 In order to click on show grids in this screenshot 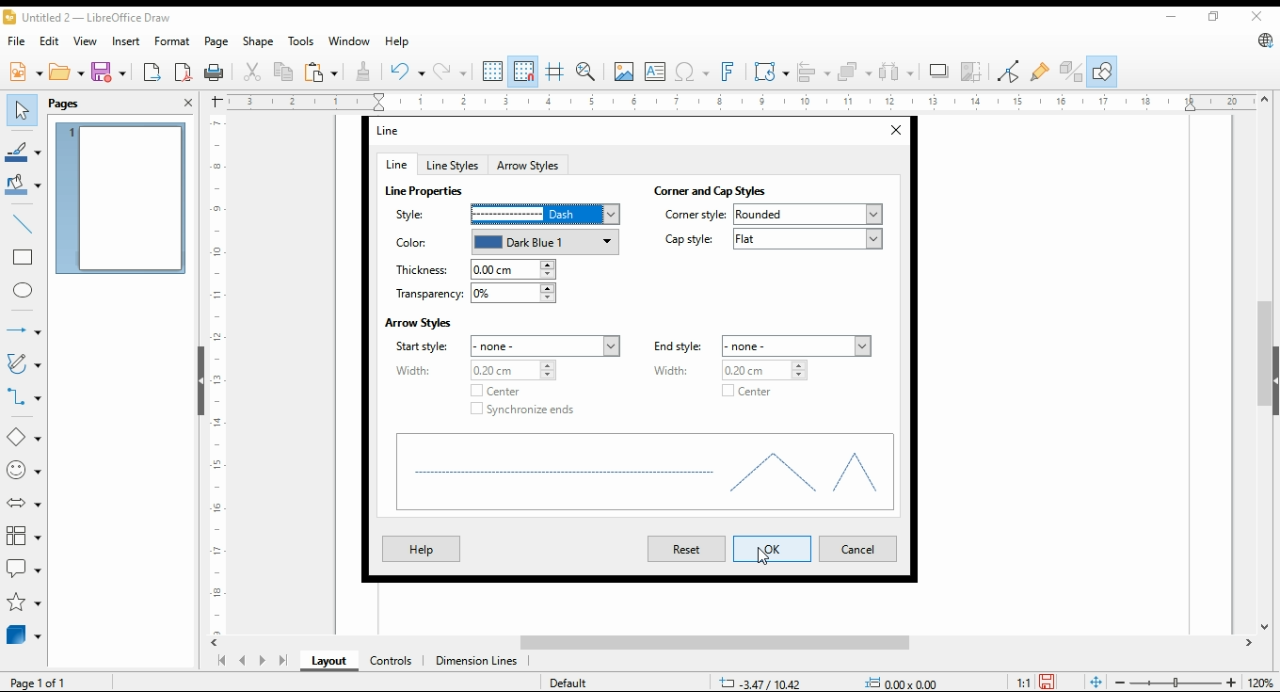, I will do `click(492, 71)`.